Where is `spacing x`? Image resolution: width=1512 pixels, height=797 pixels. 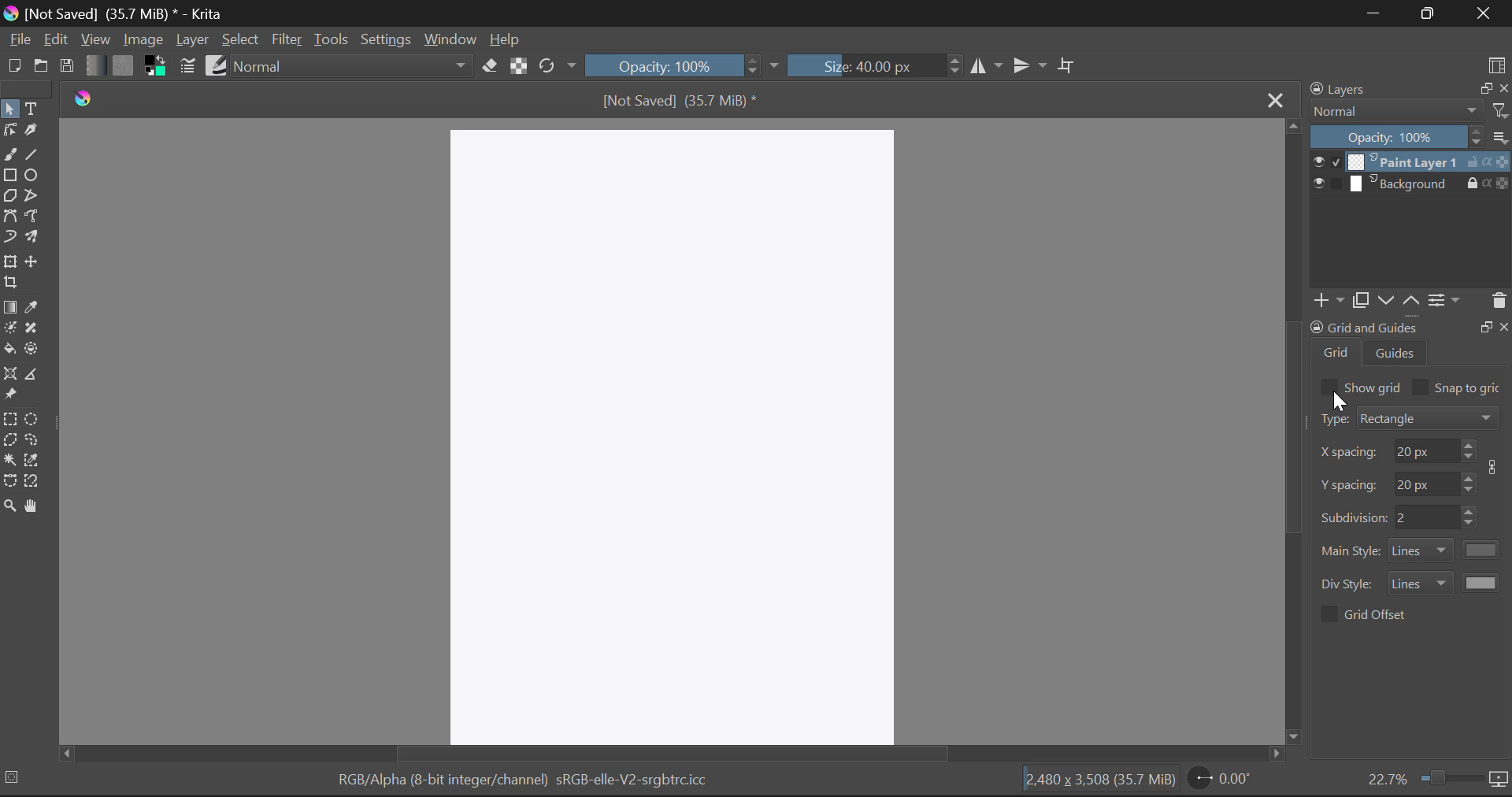 spacing x is located at coordinates (1350, 453).